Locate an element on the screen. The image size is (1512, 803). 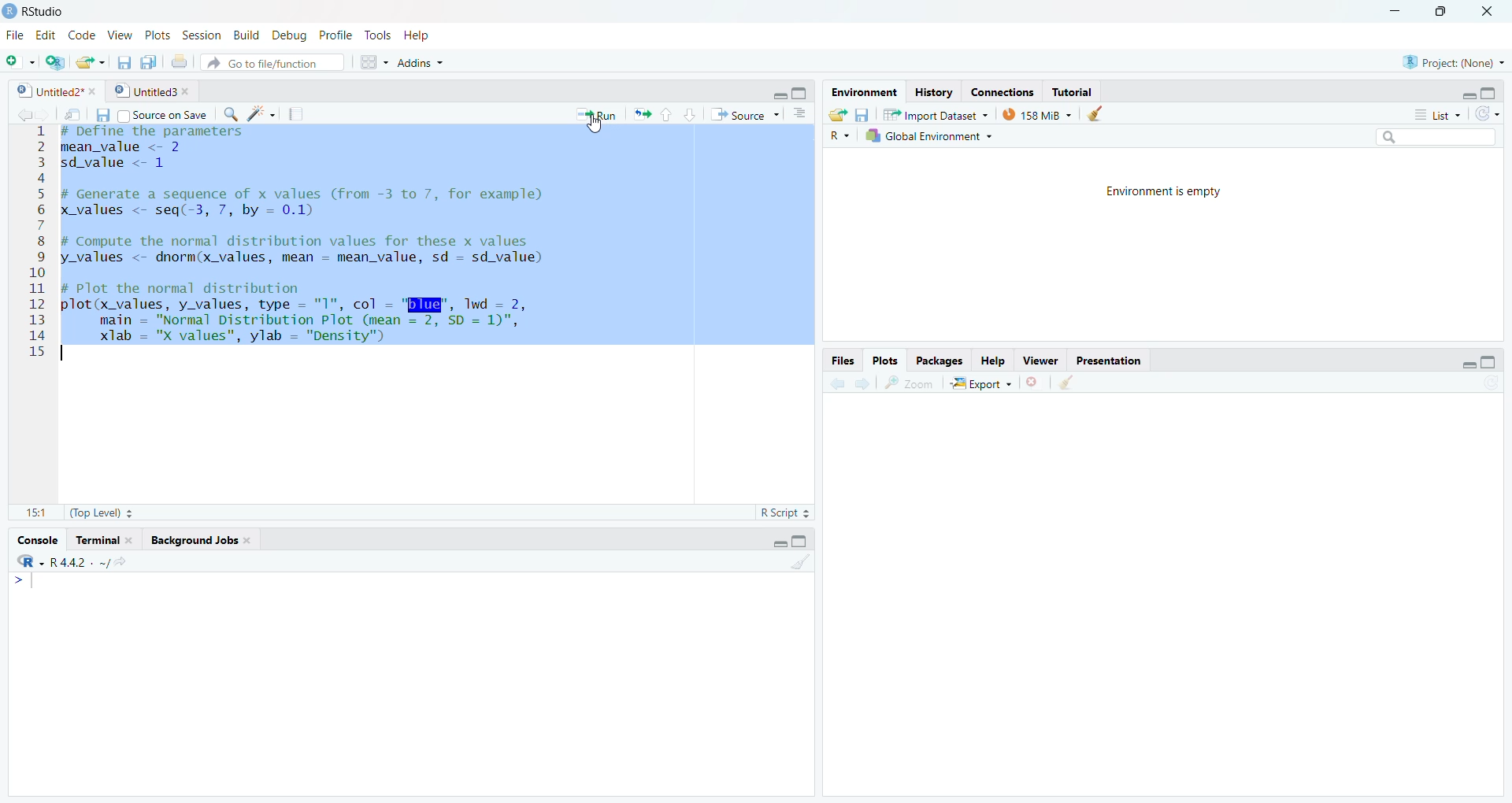
Environment is located at coordinates (862, 91).